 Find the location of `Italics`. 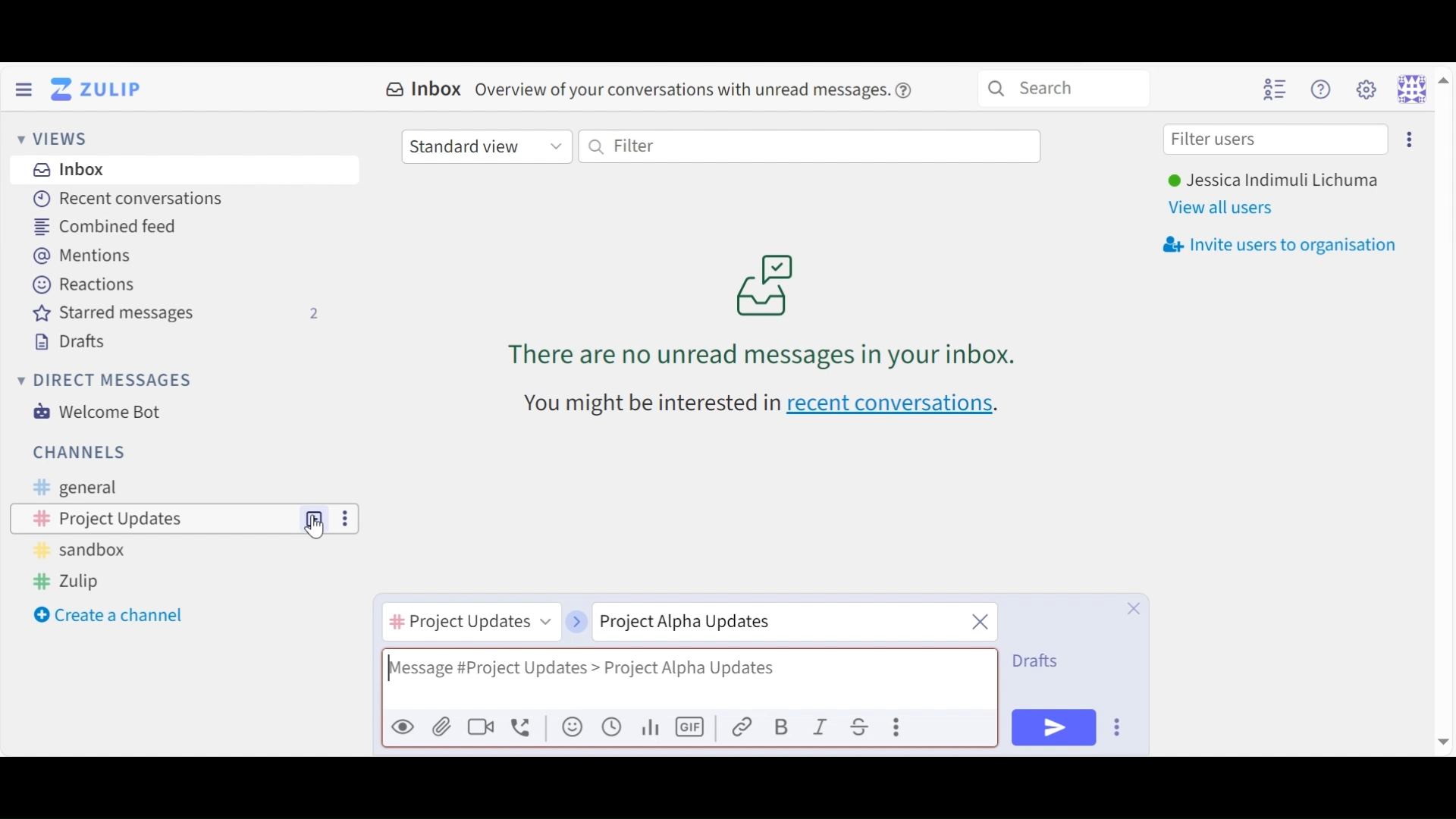

Italics is located at coordinates (821, 726).